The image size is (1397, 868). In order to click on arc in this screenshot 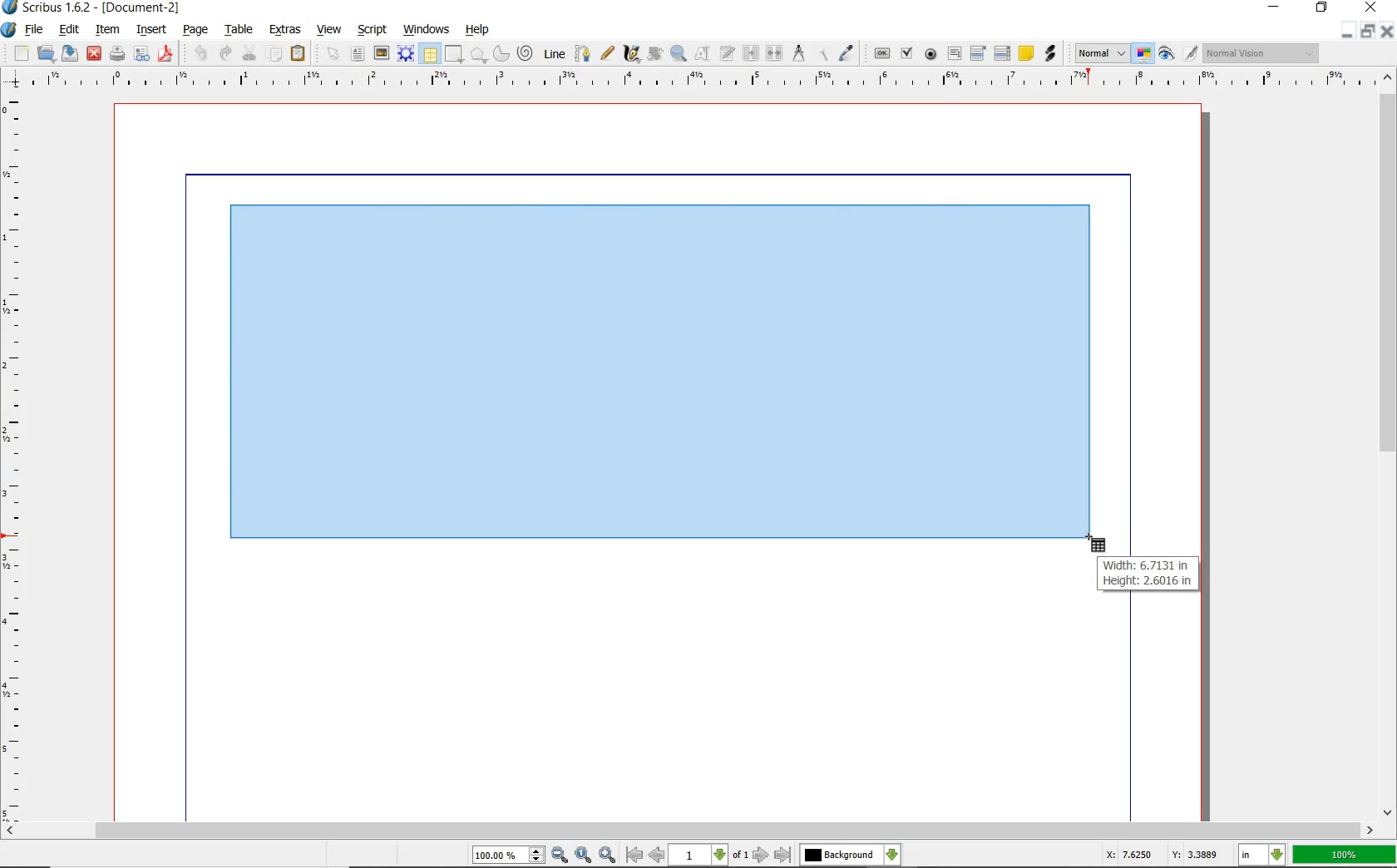, I will do `click(501, 57)`.